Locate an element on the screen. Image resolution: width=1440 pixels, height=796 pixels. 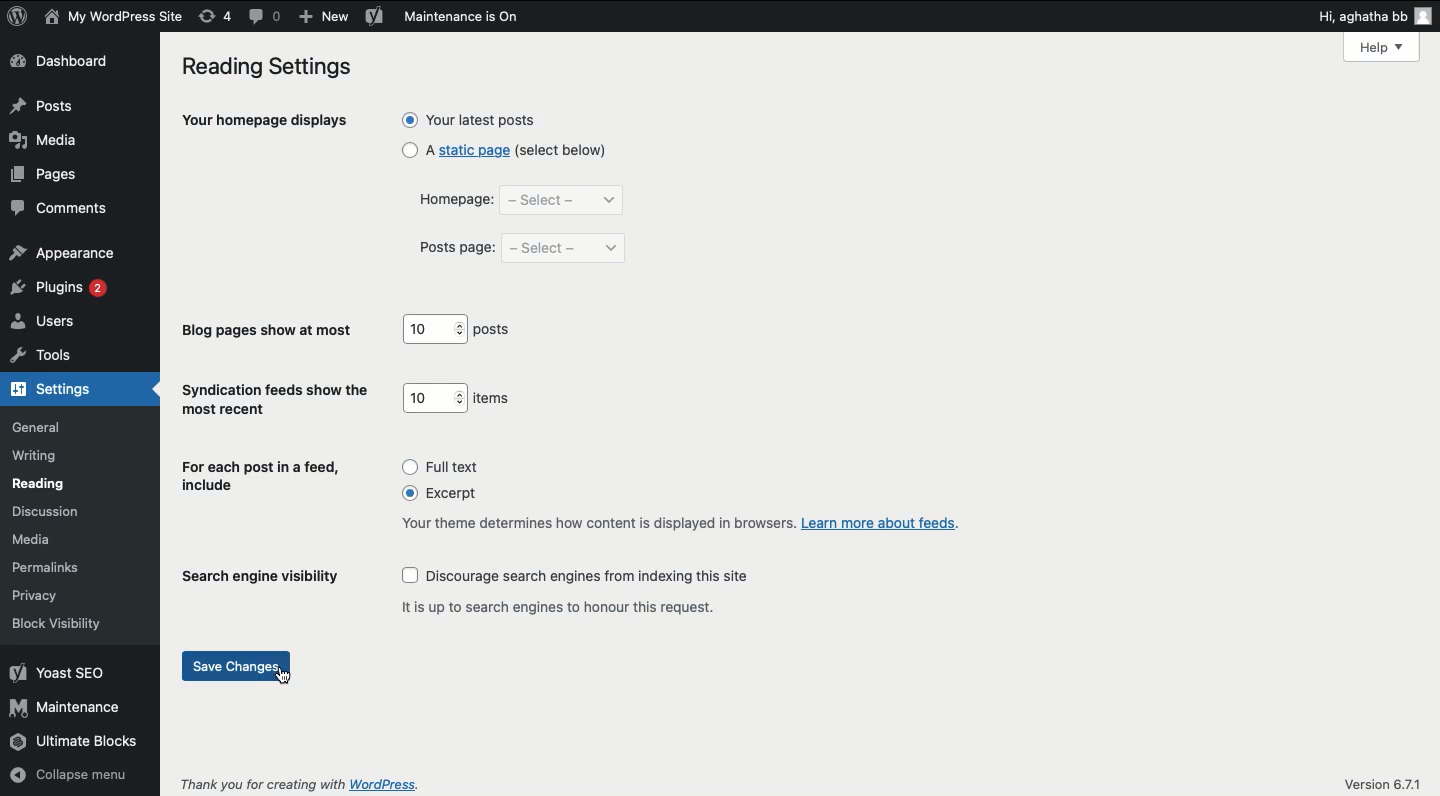
general  is located at coordinates (40, 429).